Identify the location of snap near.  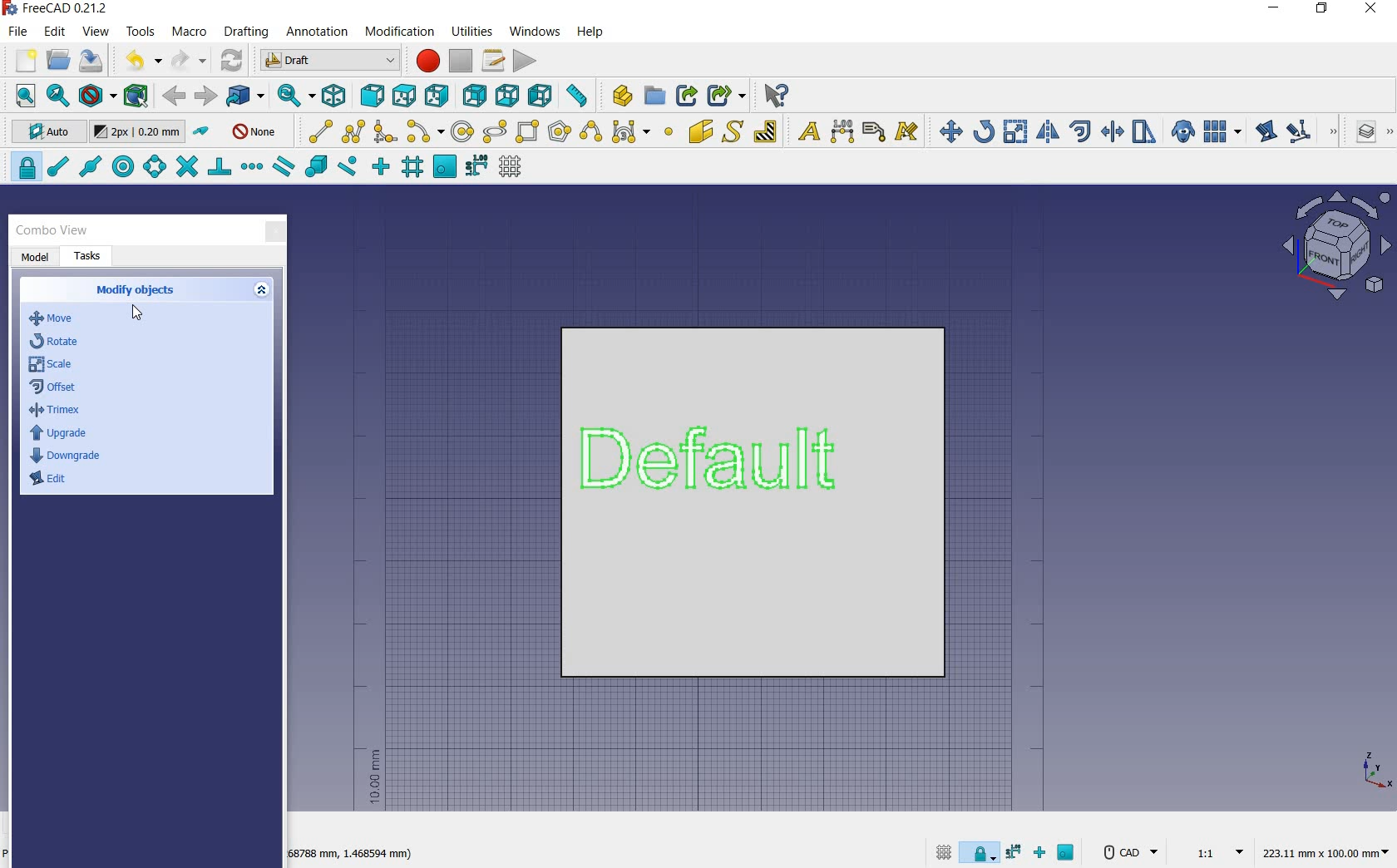
(345, 168).